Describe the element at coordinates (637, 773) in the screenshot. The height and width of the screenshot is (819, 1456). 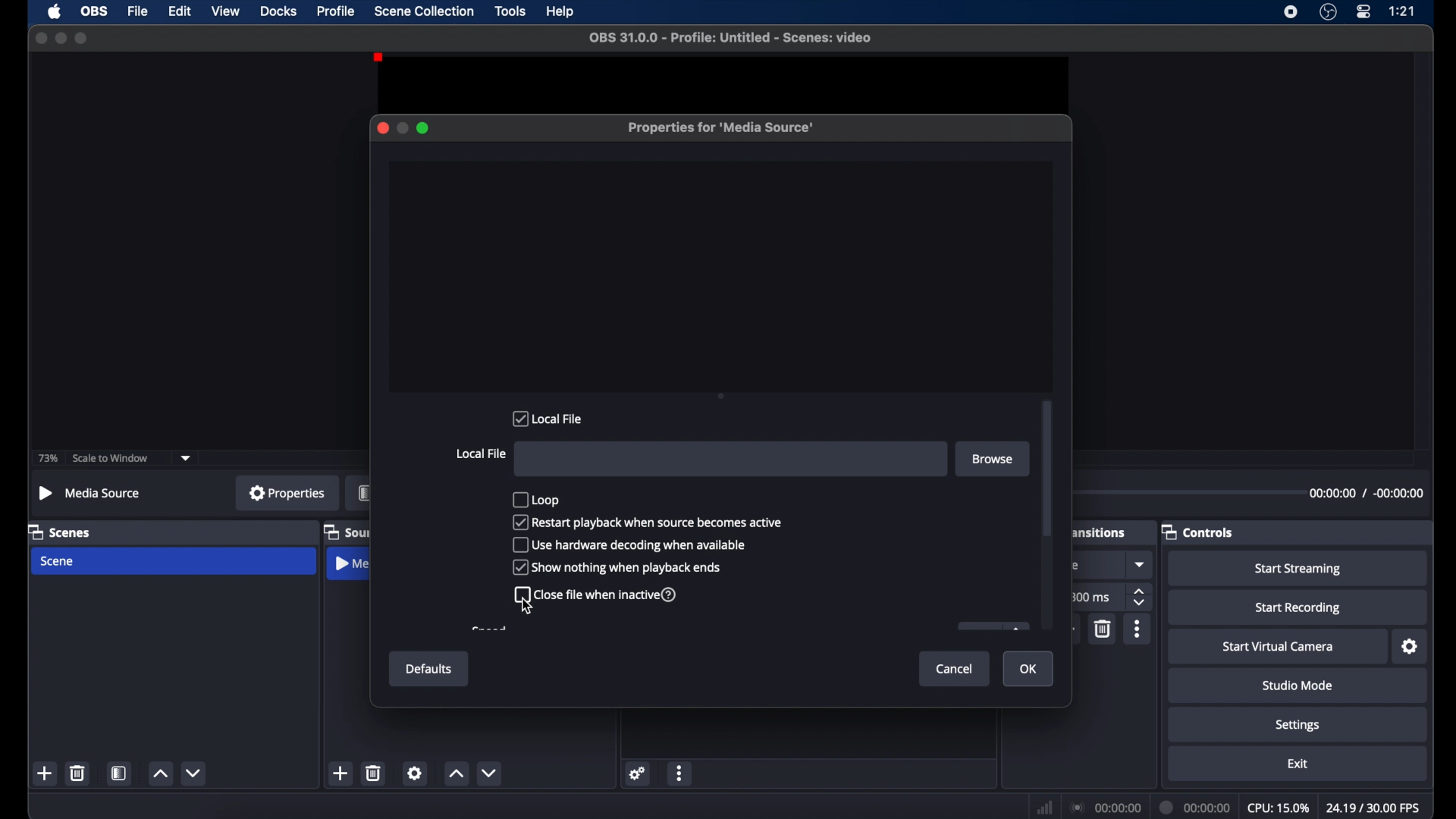
I see `settings` at that location.